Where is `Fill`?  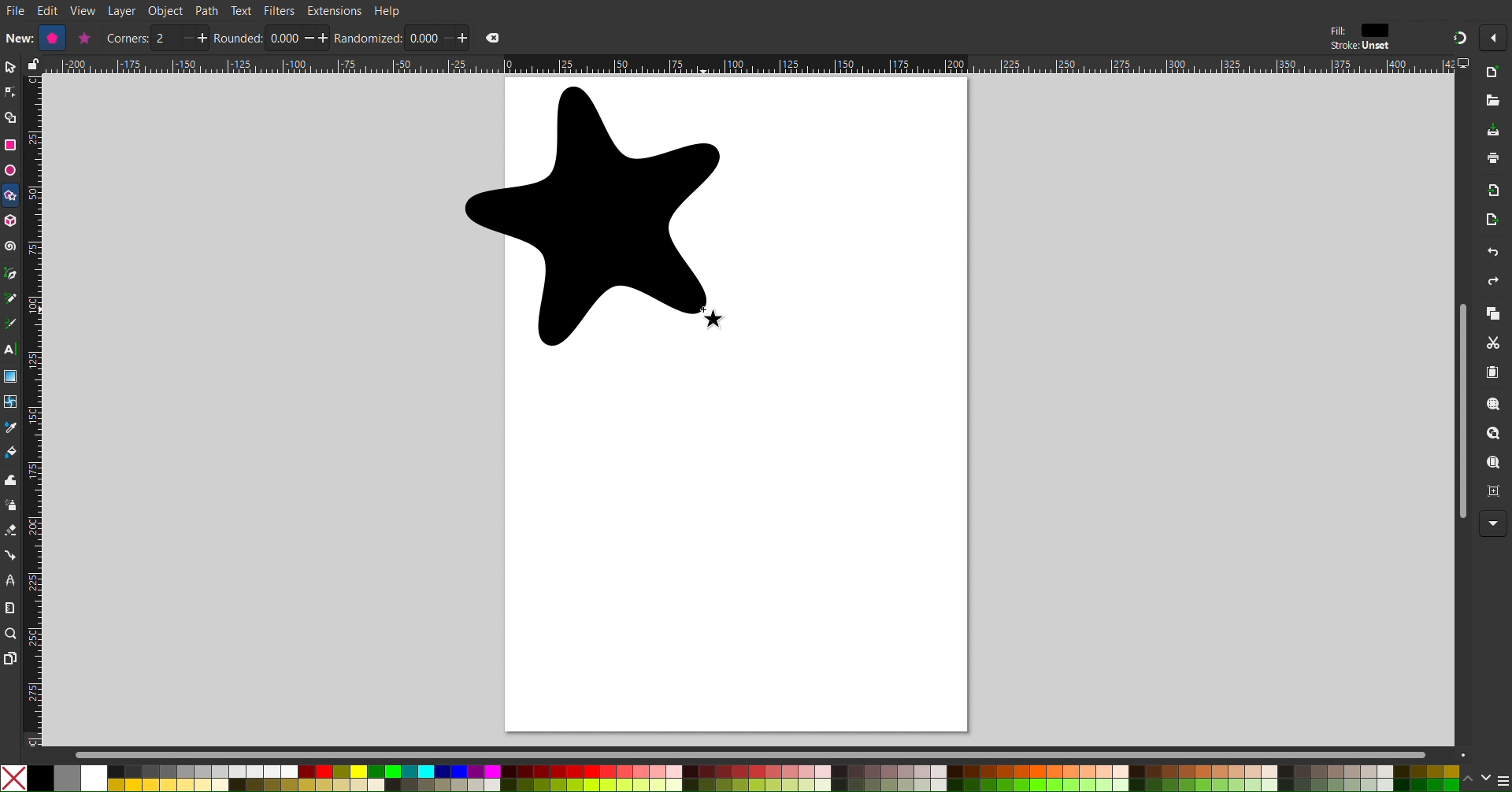
Fill is located at coordinates (1336, 31).